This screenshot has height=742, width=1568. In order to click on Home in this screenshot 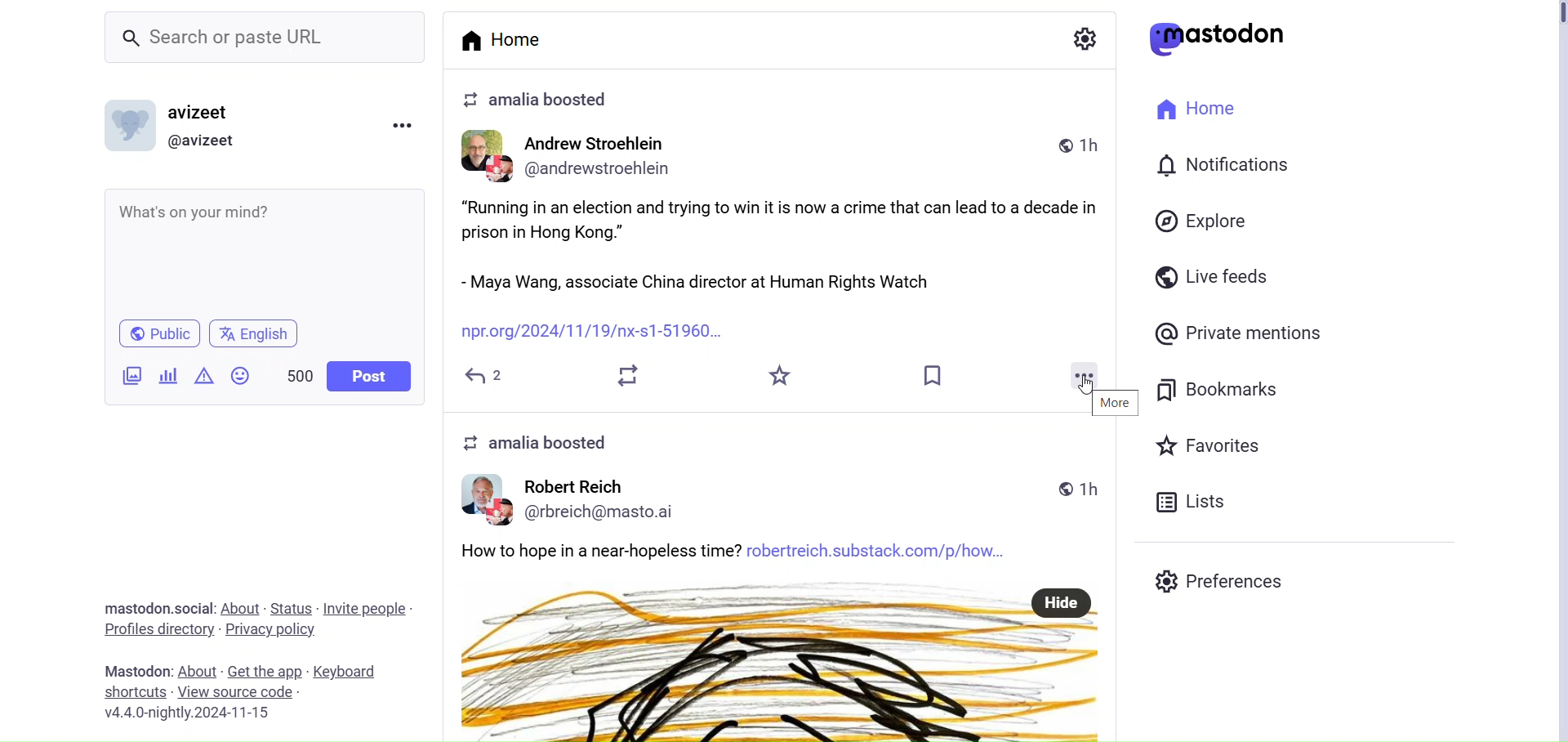, I will do `click(508, 38)`.